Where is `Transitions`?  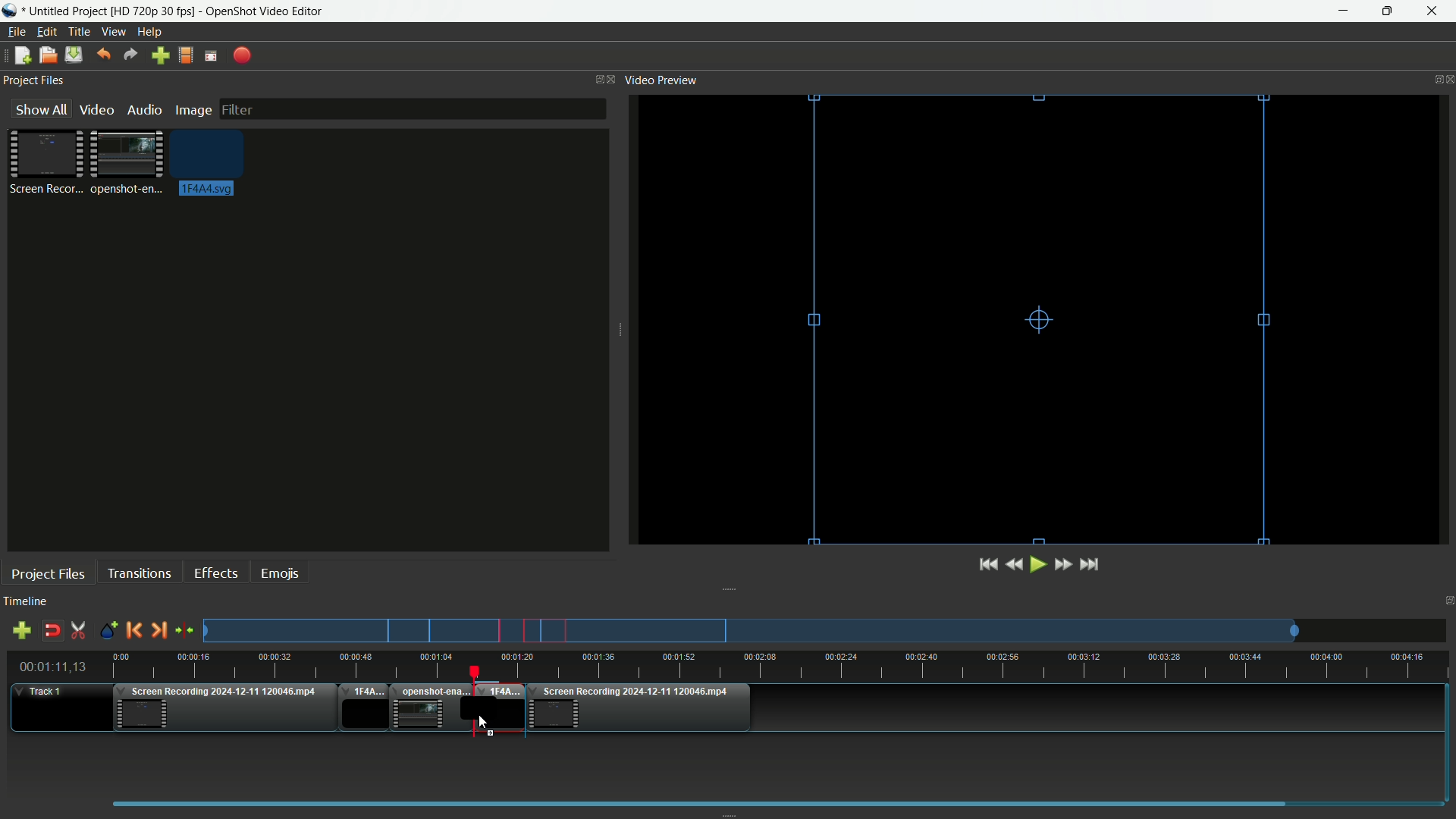
Transitions is located at coordinates (139, 573).